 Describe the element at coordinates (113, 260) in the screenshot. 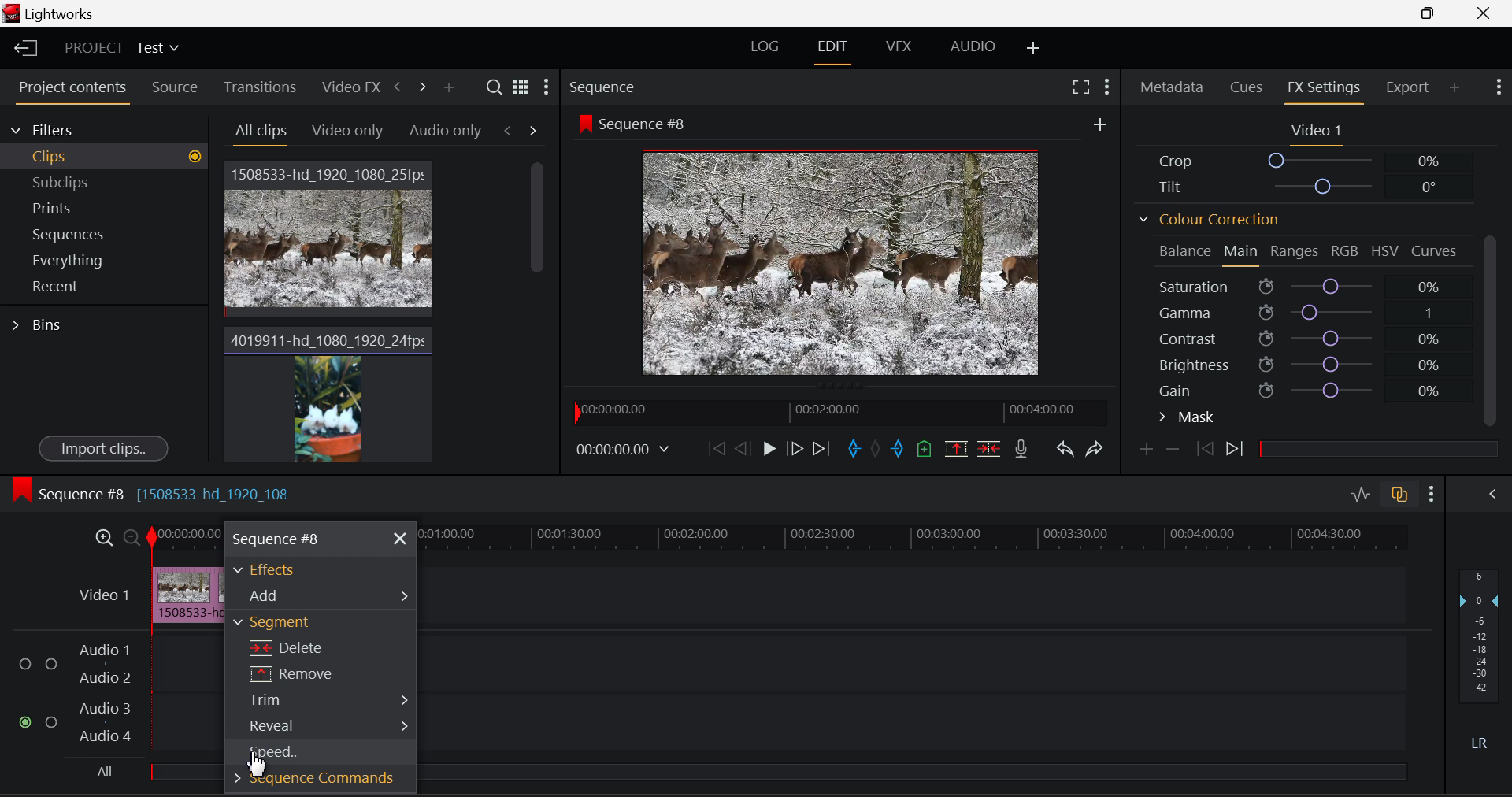

I see `Everything` at that location.